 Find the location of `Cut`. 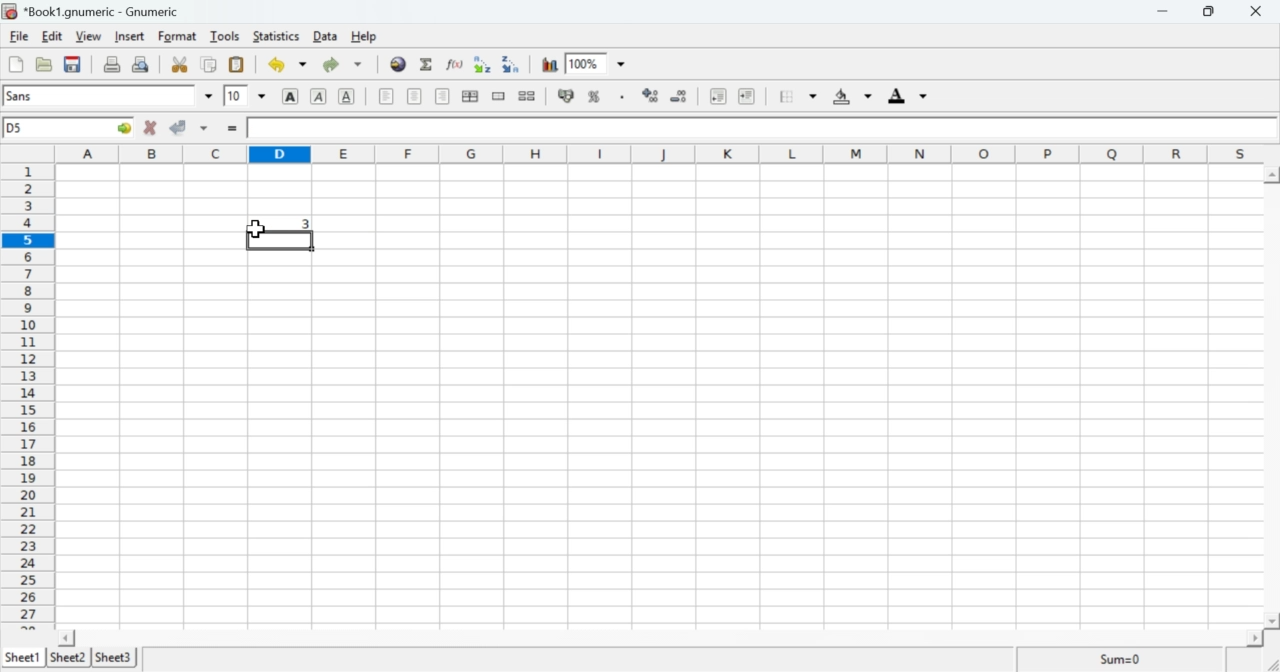

Cut is located at coordinates (180, 65).